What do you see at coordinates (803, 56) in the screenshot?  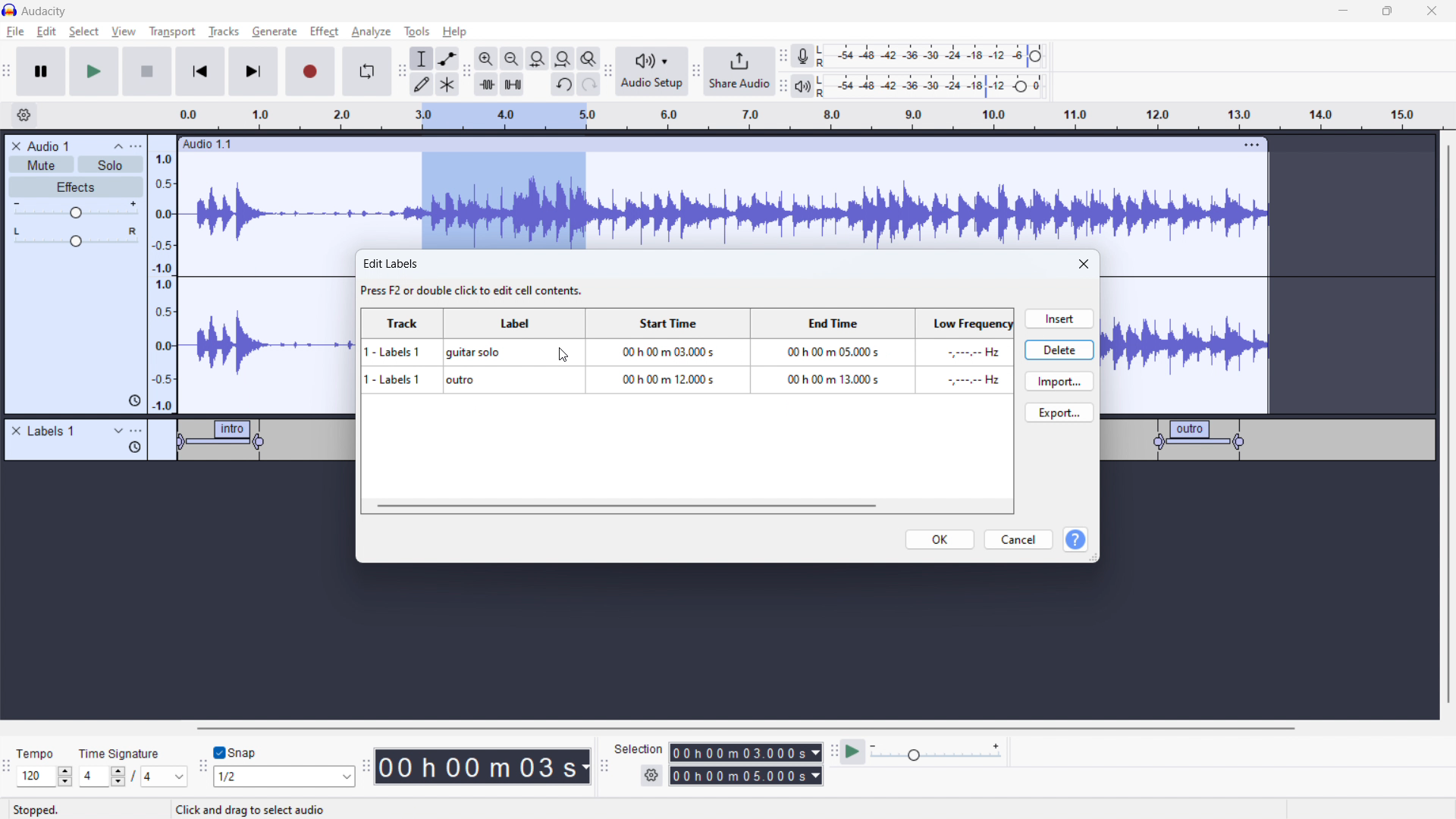 I see `recording meter` at bounding box center [803, 56].